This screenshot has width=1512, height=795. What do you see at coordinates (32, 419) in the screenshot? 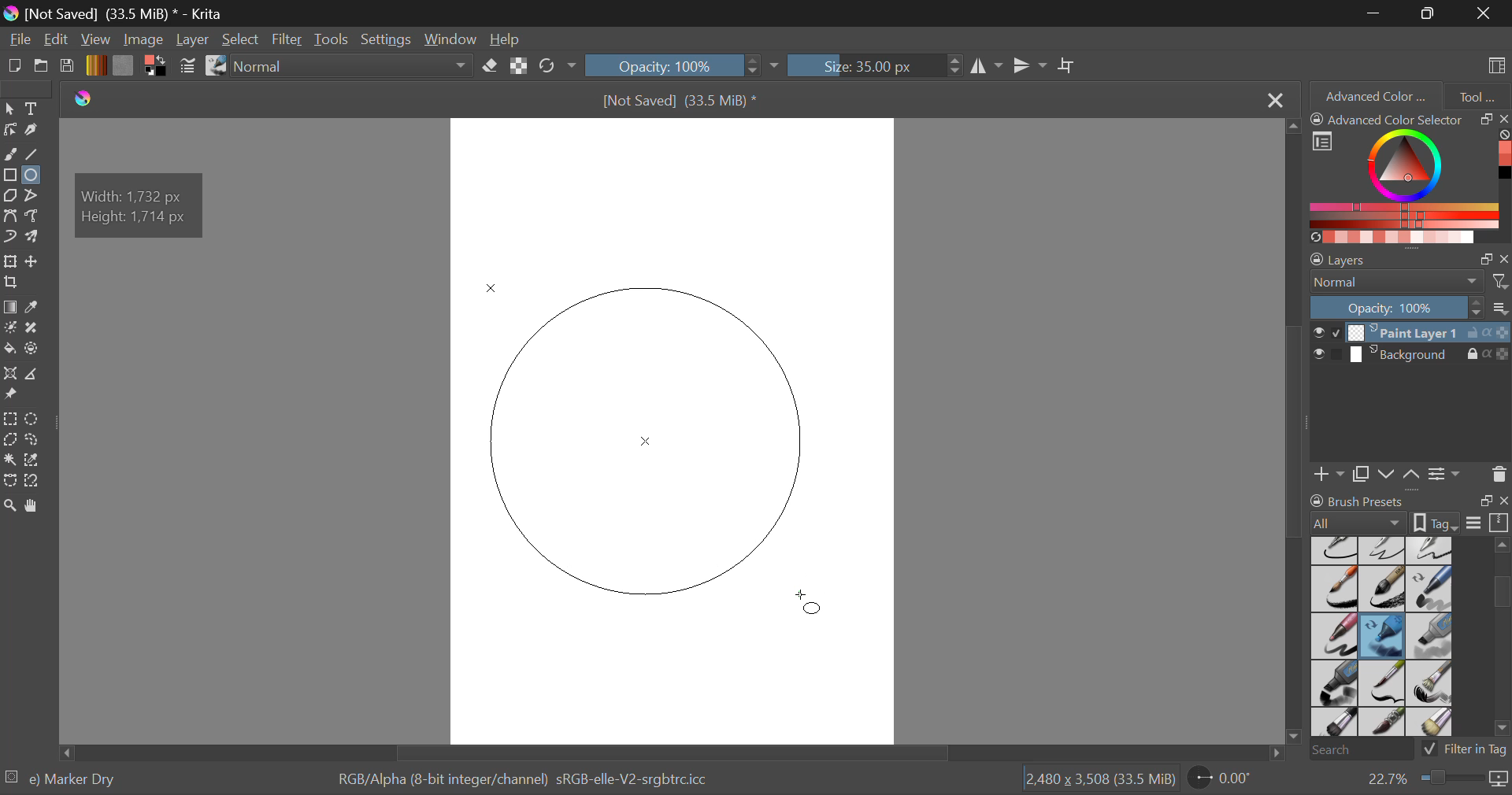
I see `Elliptical Selection Tool` at bounding box center [32, 419].